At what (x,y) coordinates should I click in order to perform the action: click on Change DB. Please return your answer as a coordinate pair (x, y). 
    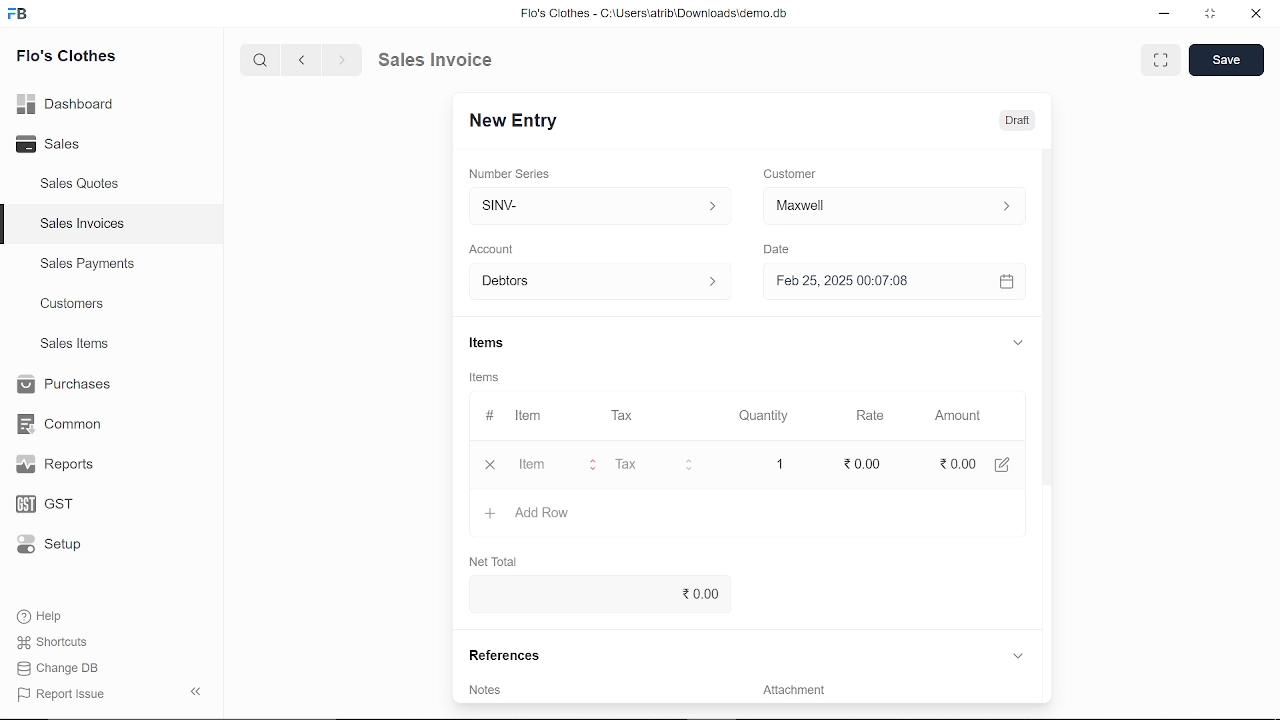
    Looking at the image, I should click on (60, 667).